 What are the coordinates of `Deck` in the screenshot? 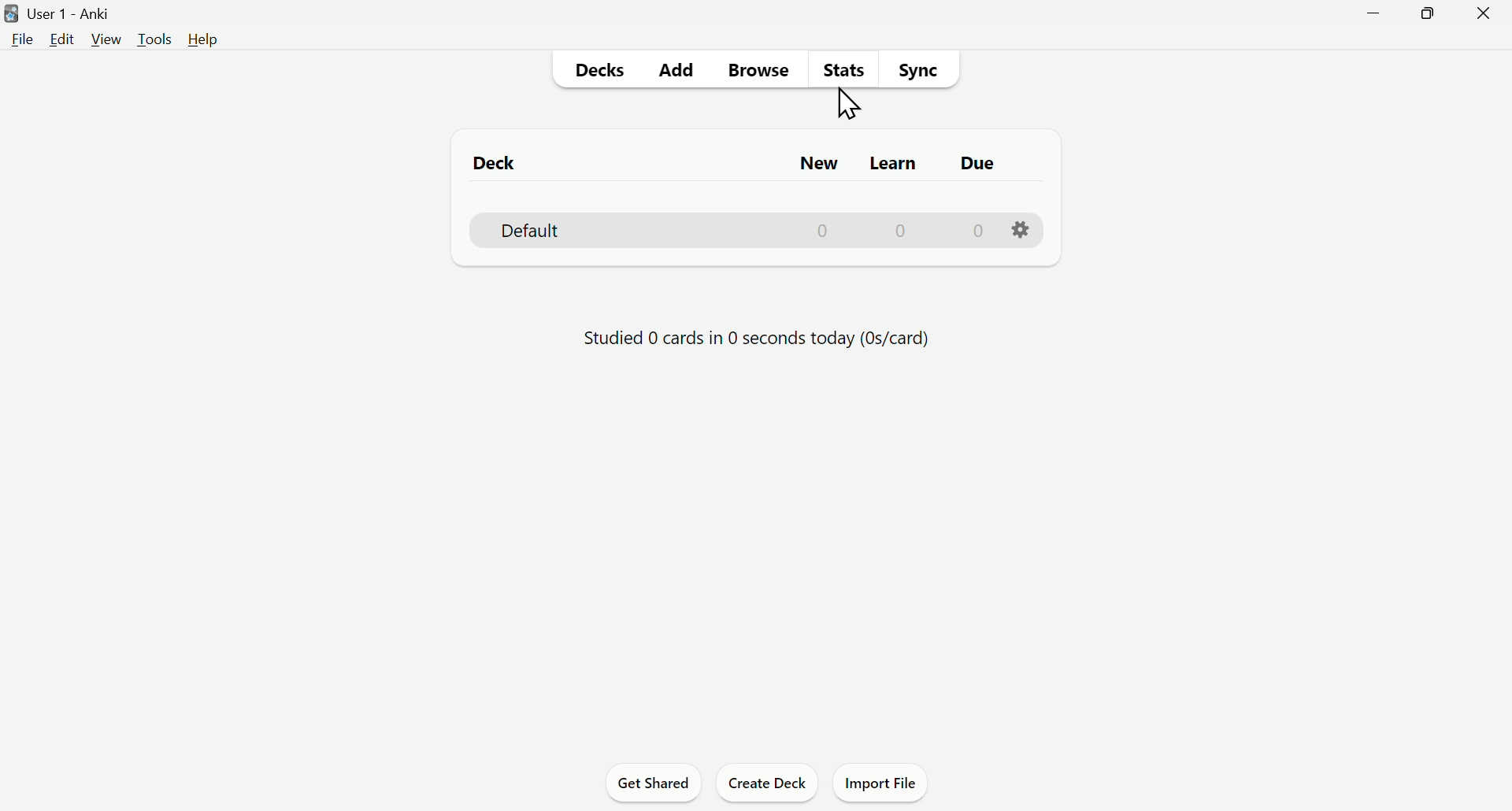 It's located at (496, 163).